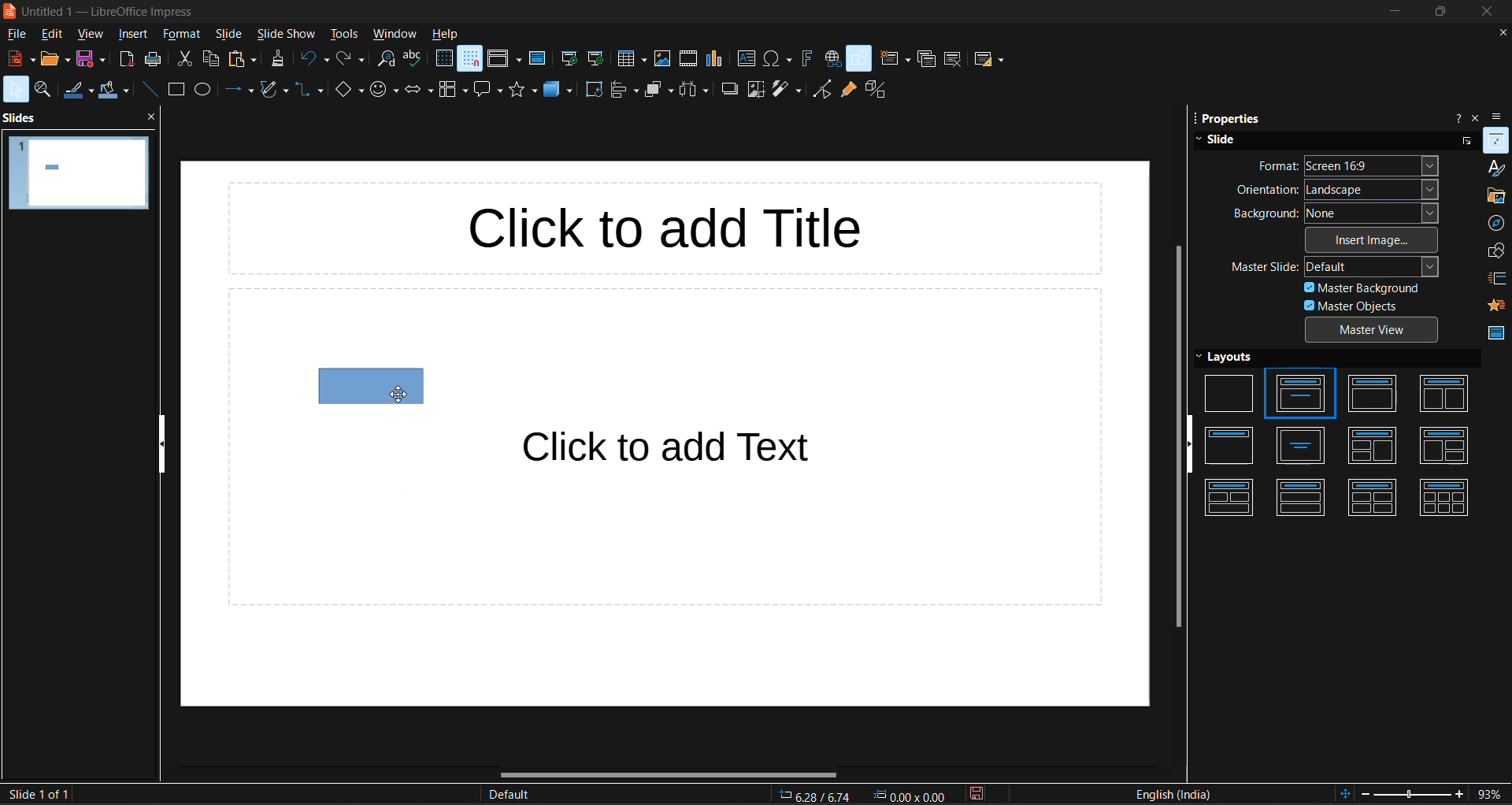 This screenshot has height=805, width=1512. I want to click on slide layout, so click(987, 59).